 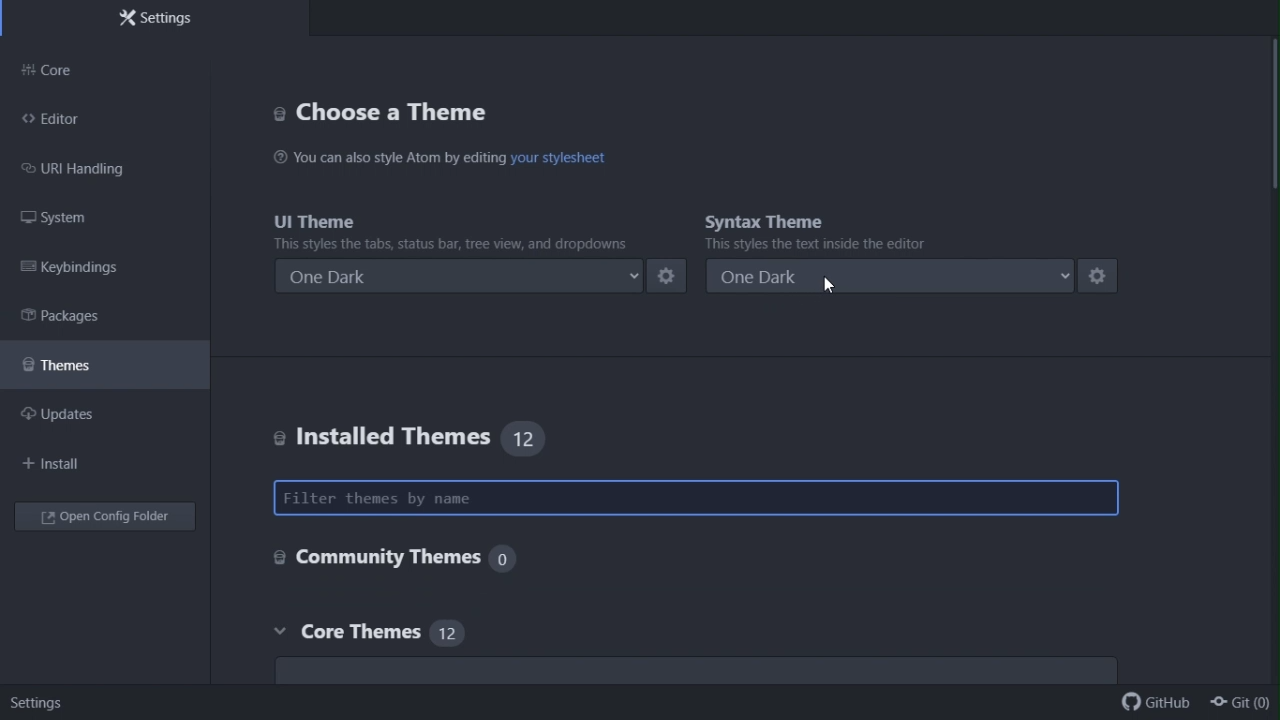 What do you see at coordinates (391, 555) in the screenshot?
I see `Community themes` at bounding box center [391, 555].